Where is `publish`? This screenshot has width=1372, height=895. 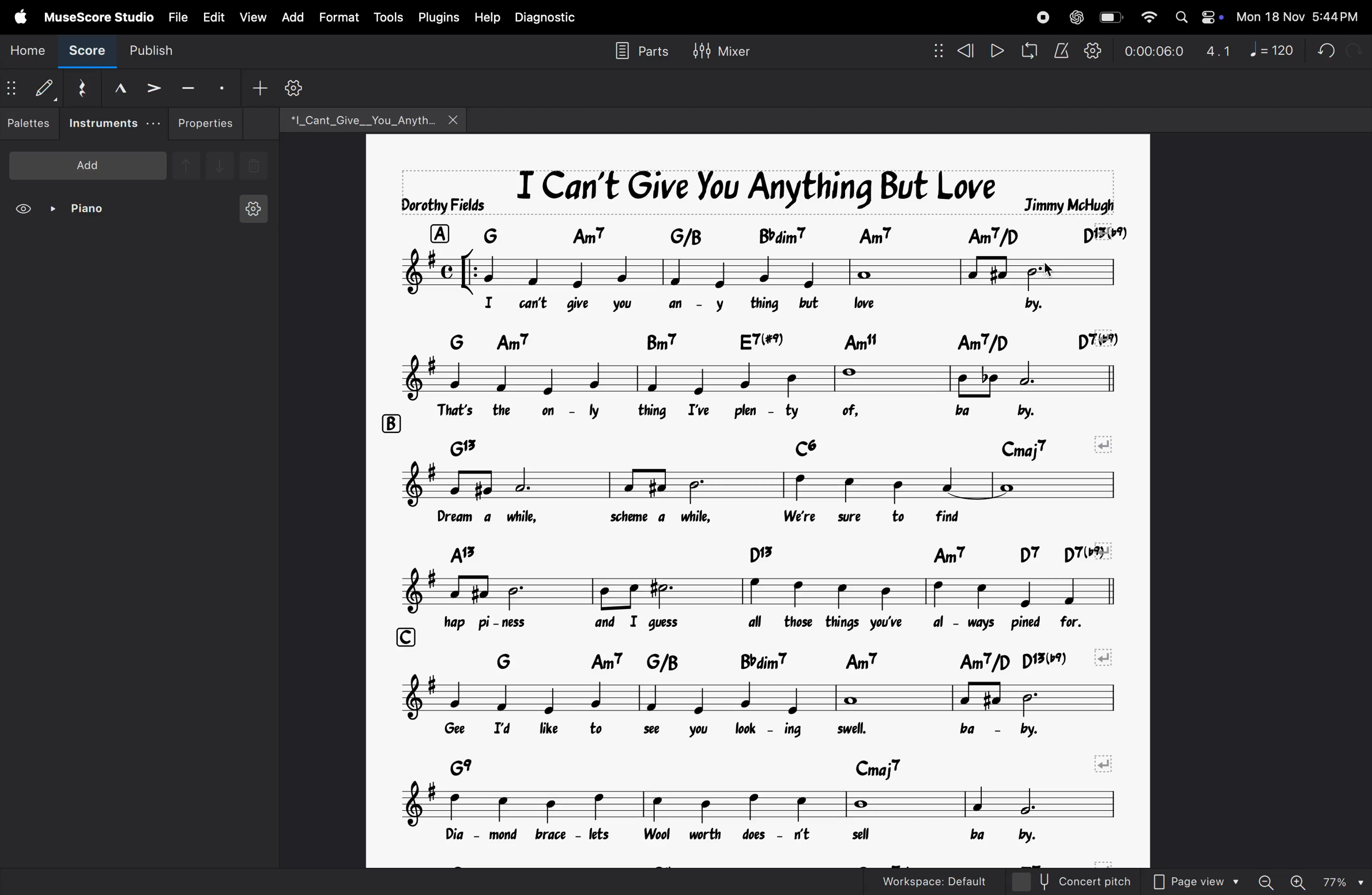
publish is located at coordinates (151, 52).